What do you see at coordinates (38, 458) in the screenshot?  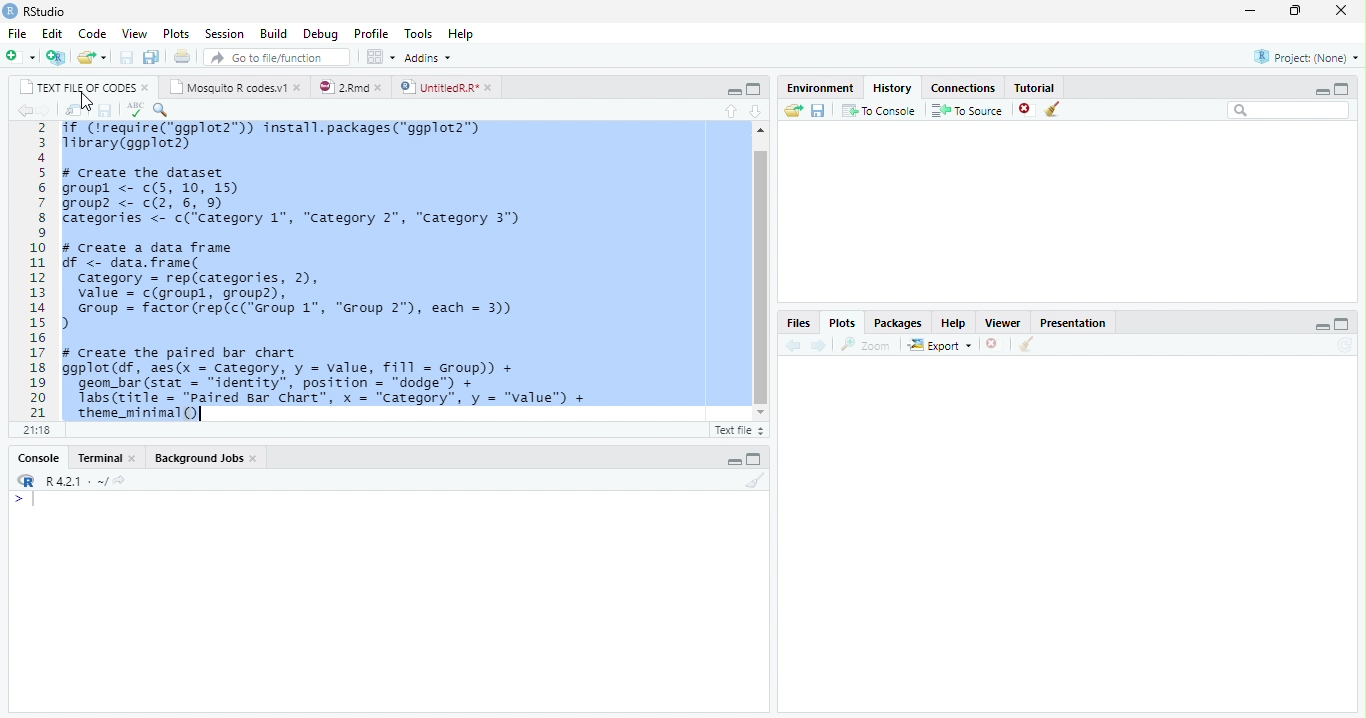 I see `console` at bounding box center [38, 458].